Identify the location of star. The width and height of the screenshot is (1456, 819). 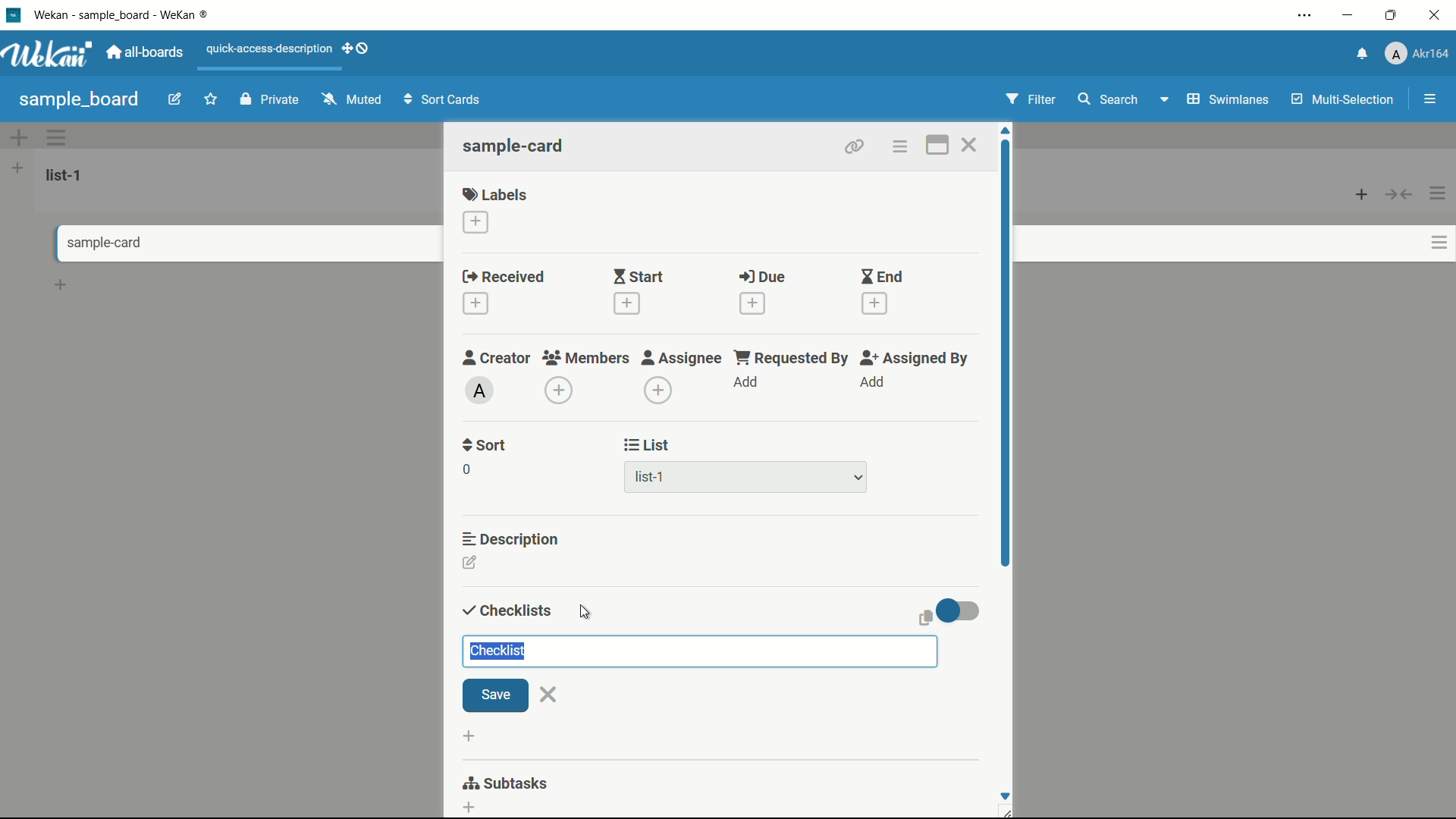
(213, 101).